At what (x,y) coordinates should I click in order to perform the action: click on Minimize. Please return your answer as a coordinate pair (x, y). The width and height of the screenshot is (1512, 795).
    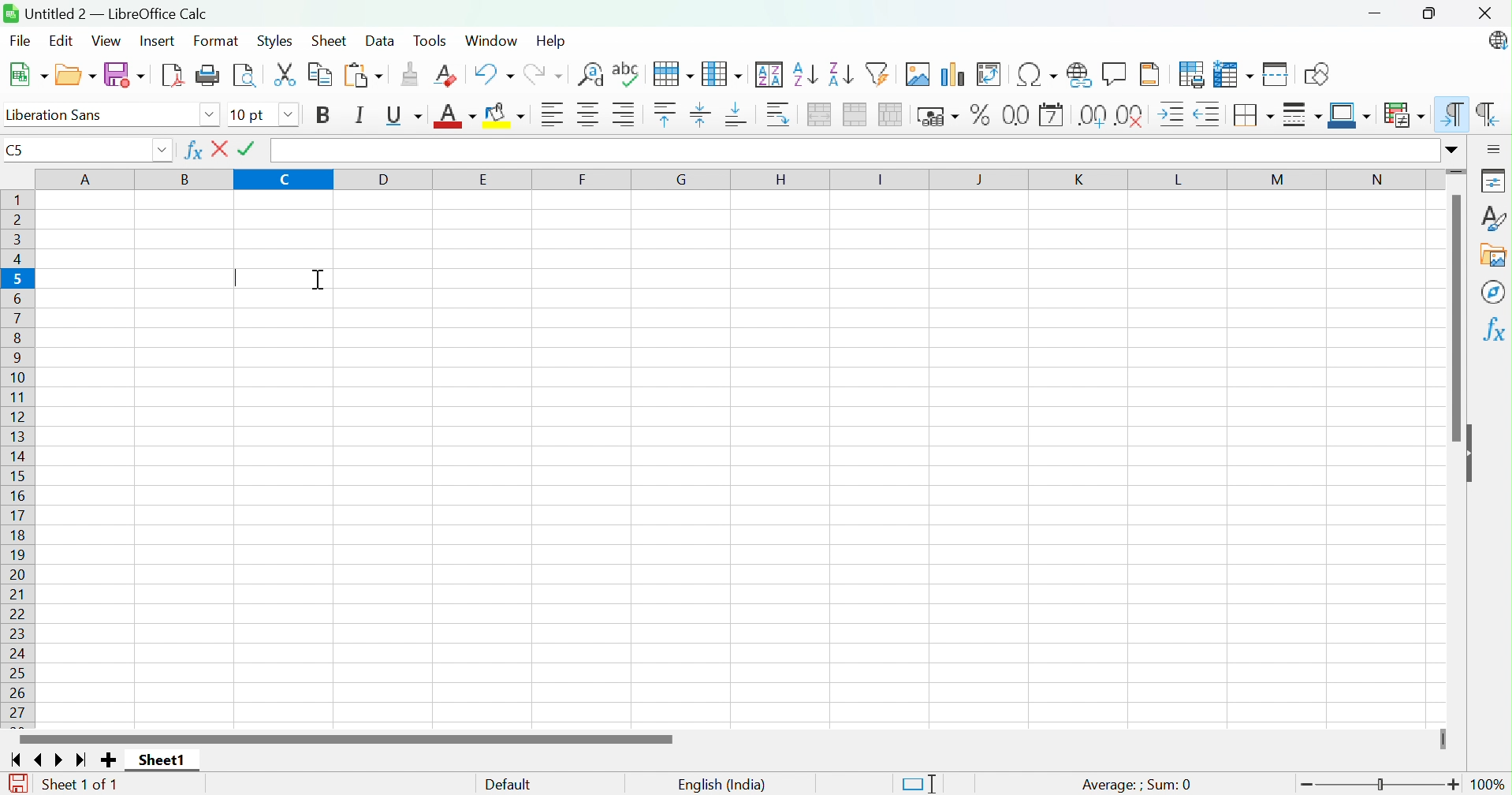
    Looking at the image, I should click on (1373, 15).